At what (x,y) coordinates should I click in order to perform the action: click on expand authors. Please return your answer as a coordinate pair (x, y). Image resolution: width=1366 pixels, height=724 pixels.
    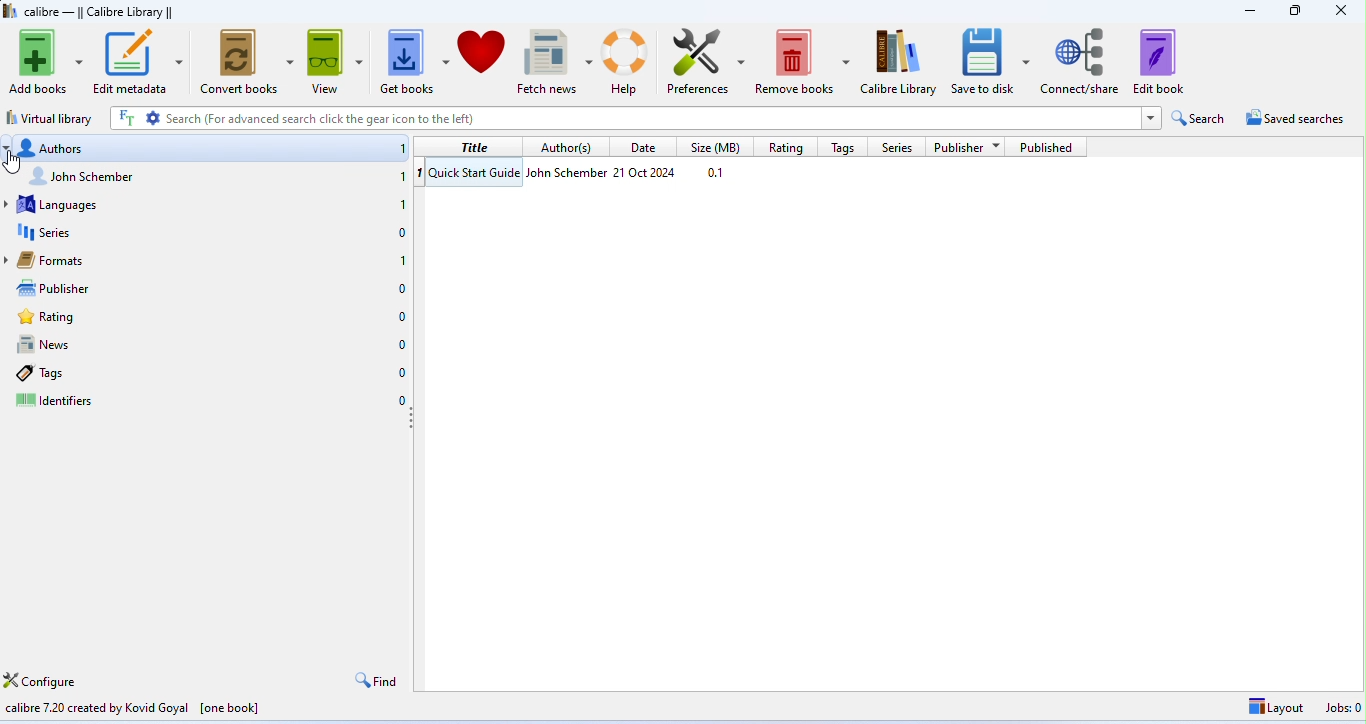
    Looking at the image, I should click on (9, 147).